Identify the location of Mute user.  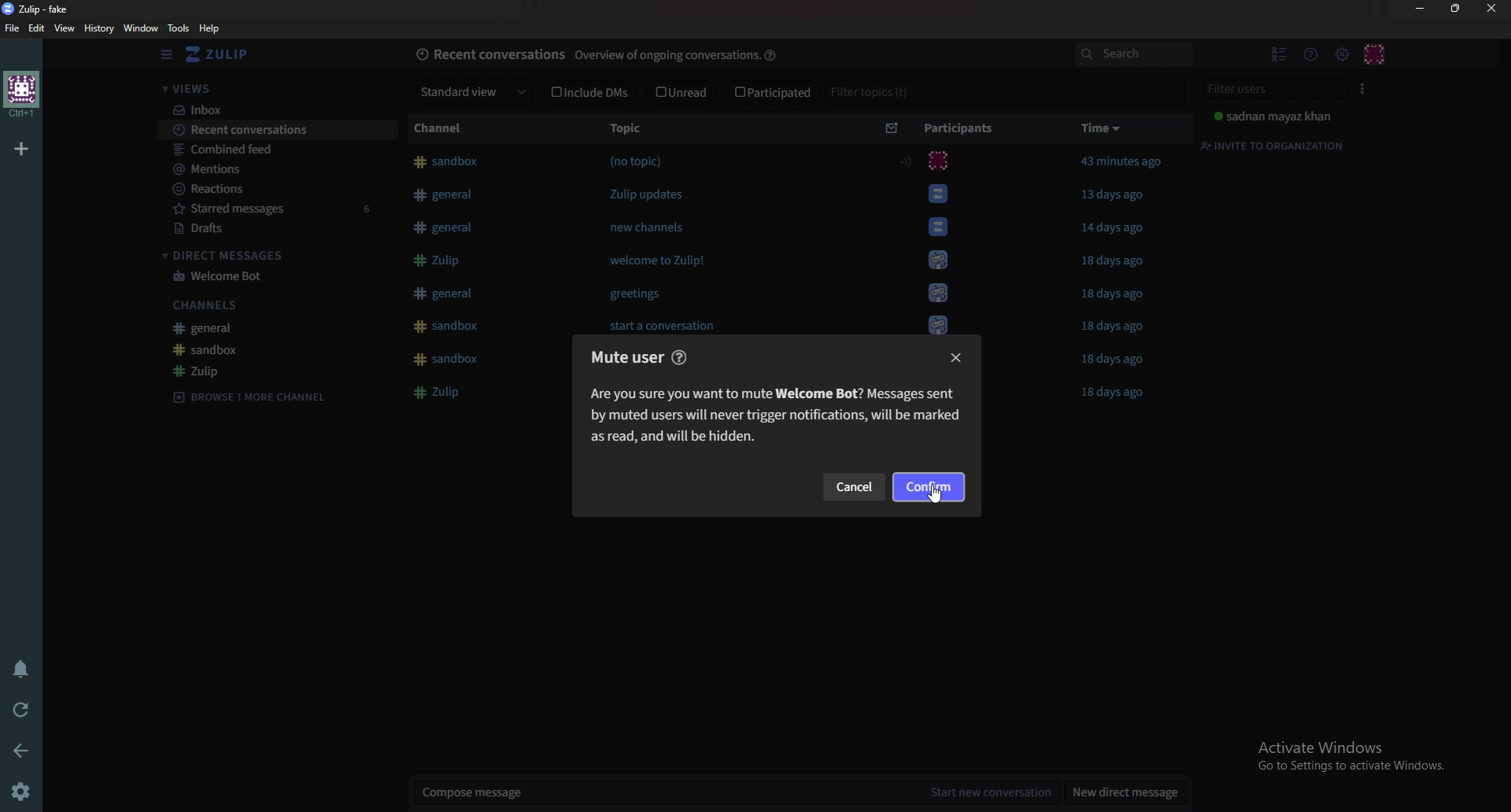
(622, 359).